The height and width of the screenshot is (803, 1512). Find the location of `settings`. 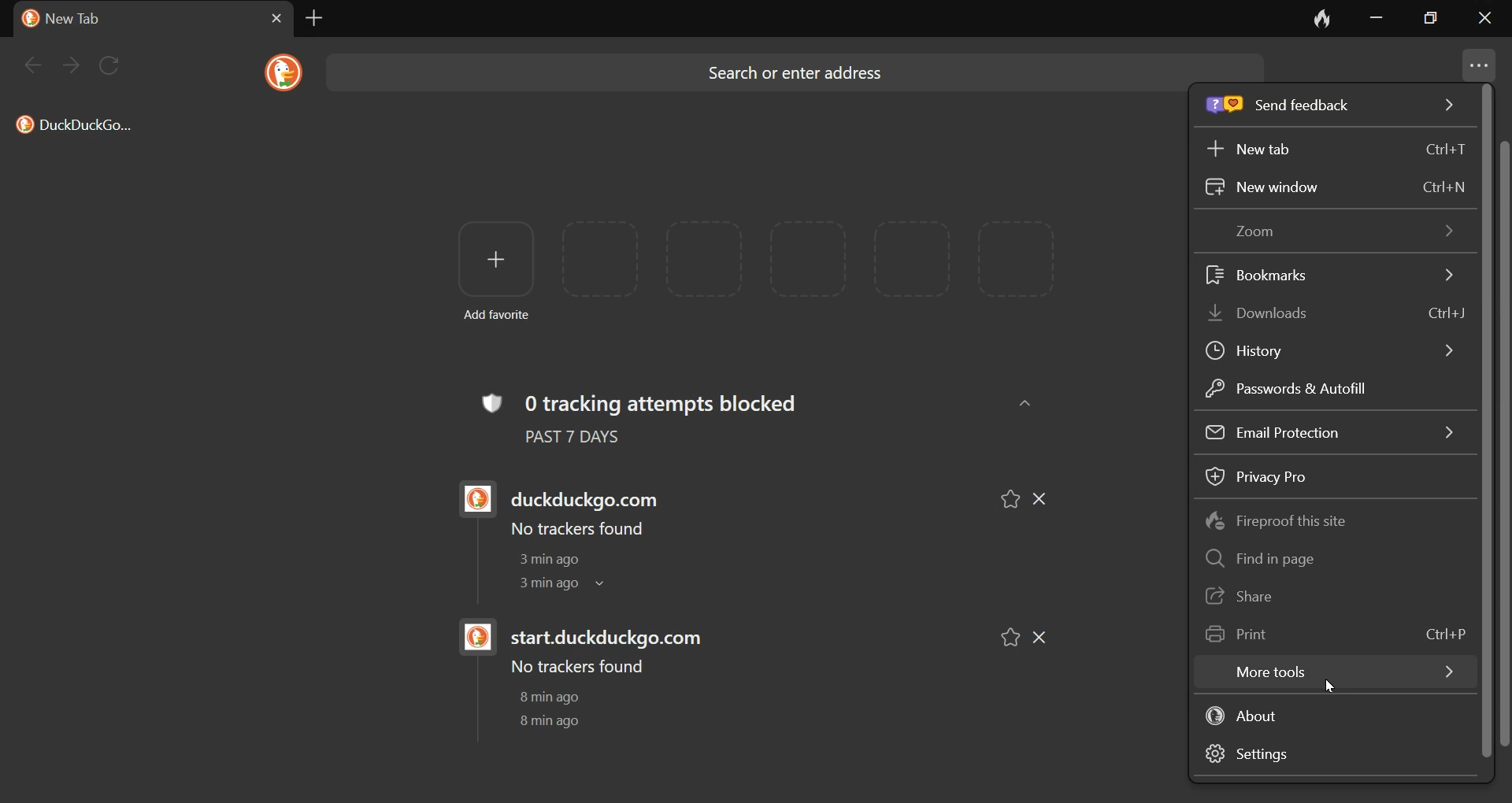

settings is located at coordinates (1275, 756).